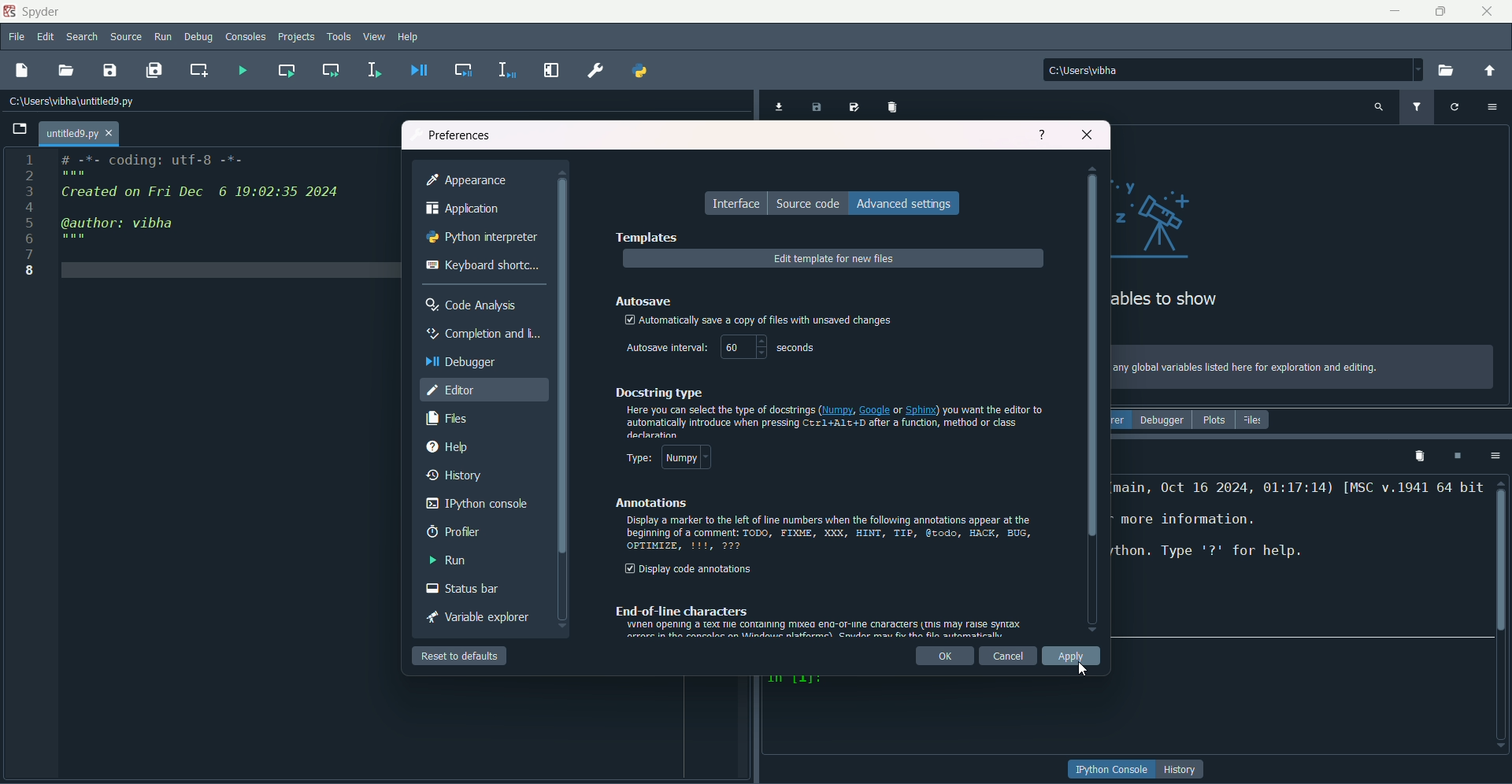 The image size is (1512, 784). What do you see at coordinates (1182, 769) in the screenshot?
I see `button` at bounding box center [1182, 769].